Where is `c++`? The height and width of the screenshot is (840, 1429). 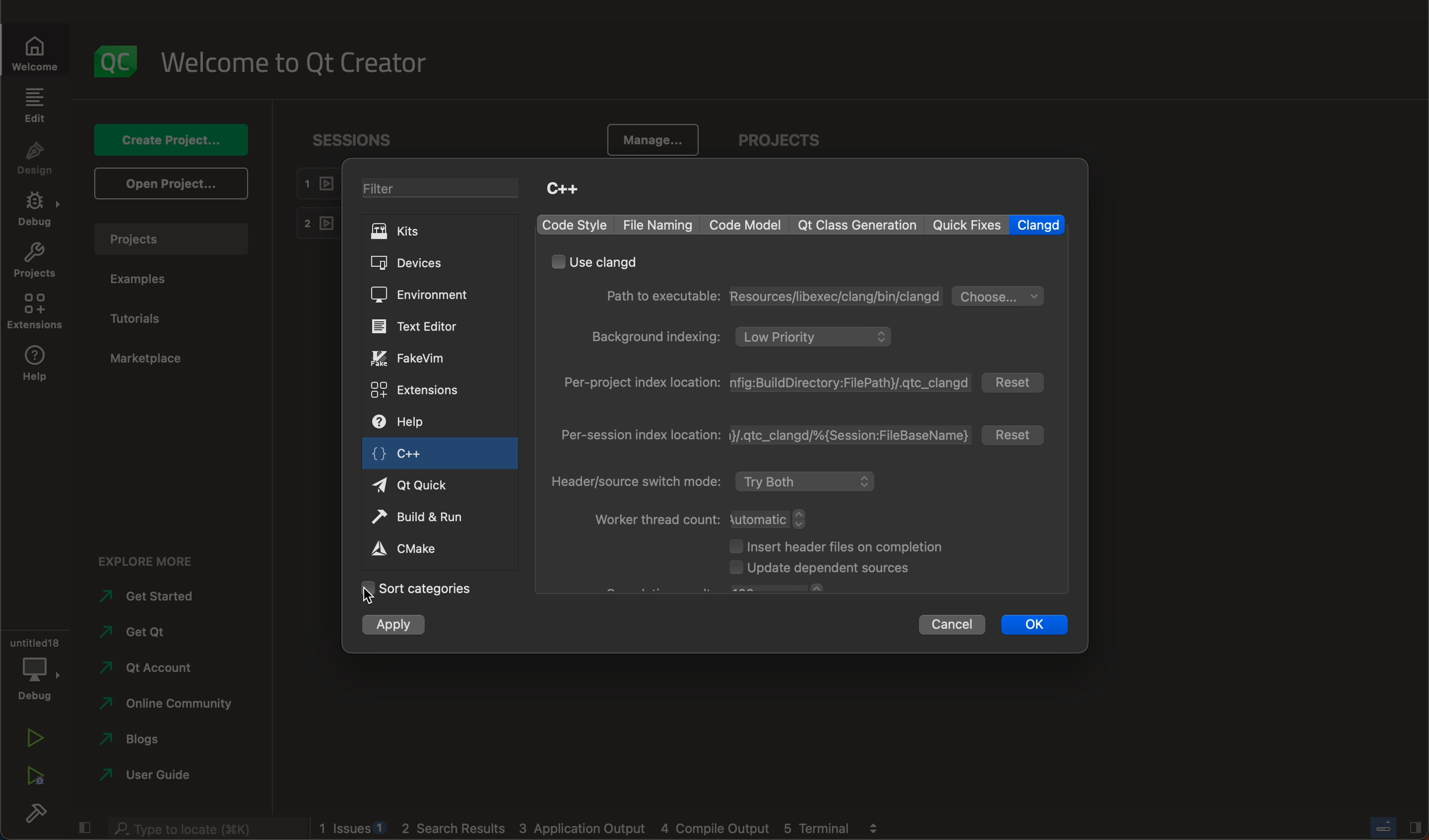 c++ is located at coordinates (439, 454).